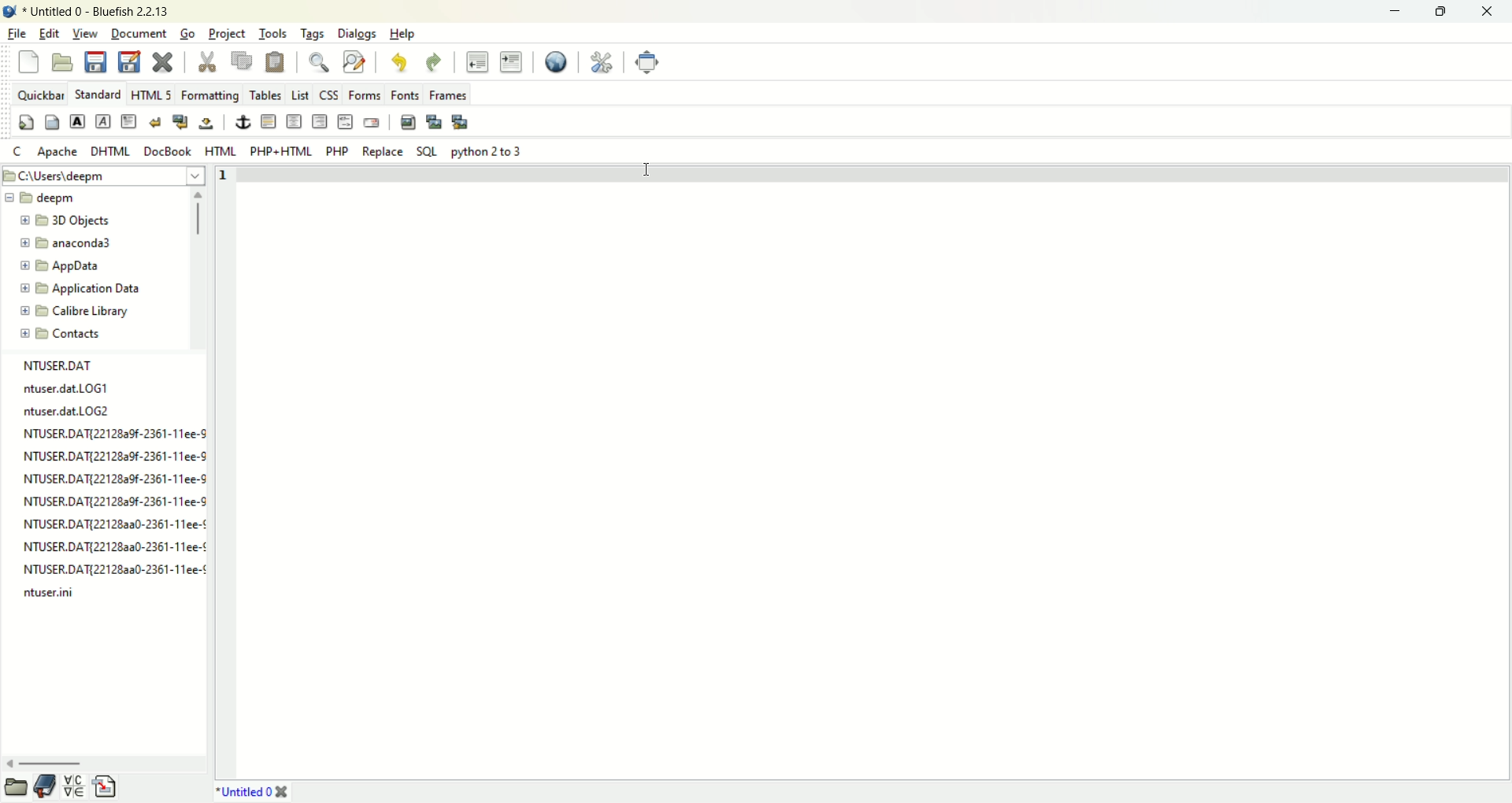 The width and height of the screenshot is (1512, 803). What do you see at coordinates (428, 153) in the screenshot?
I see `SQL` at bounding box center [428, 153].